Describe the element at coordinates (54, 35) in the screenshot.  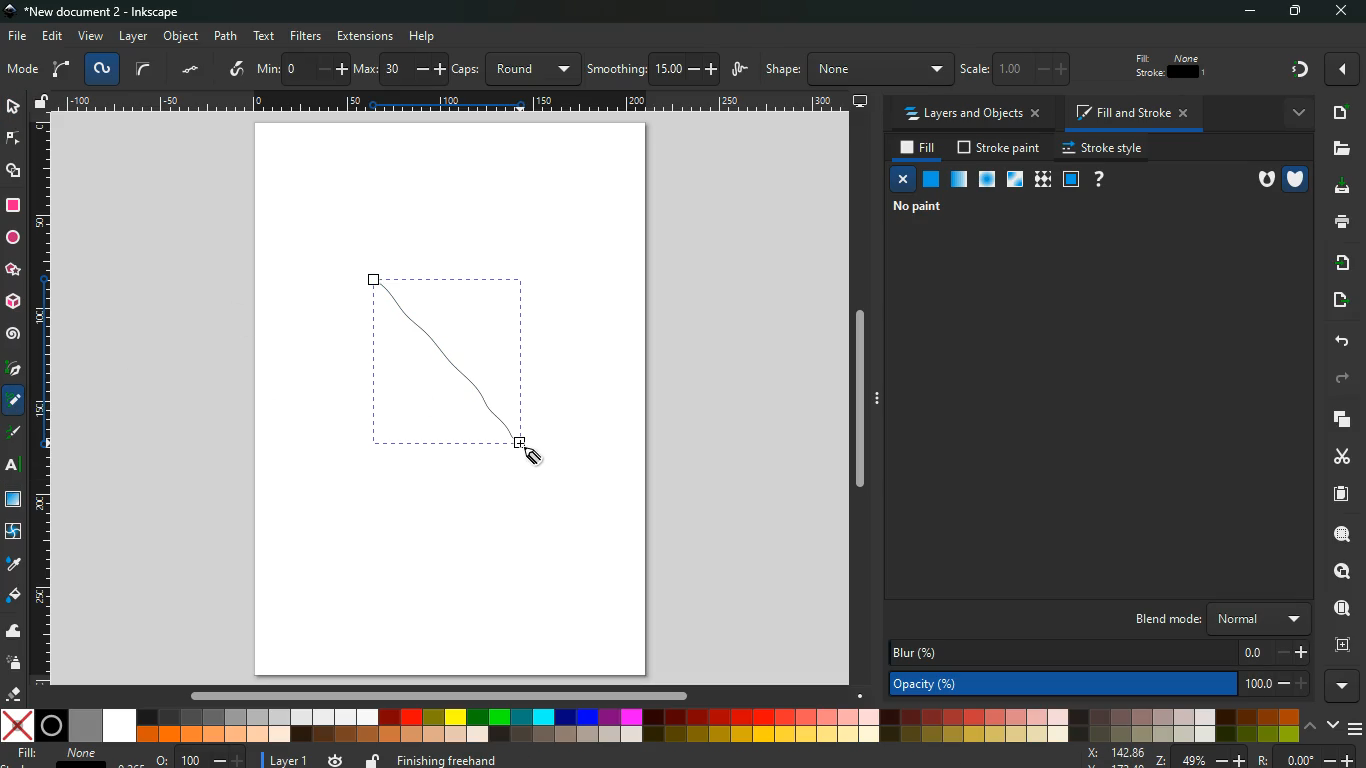
I see `edit` at that location.